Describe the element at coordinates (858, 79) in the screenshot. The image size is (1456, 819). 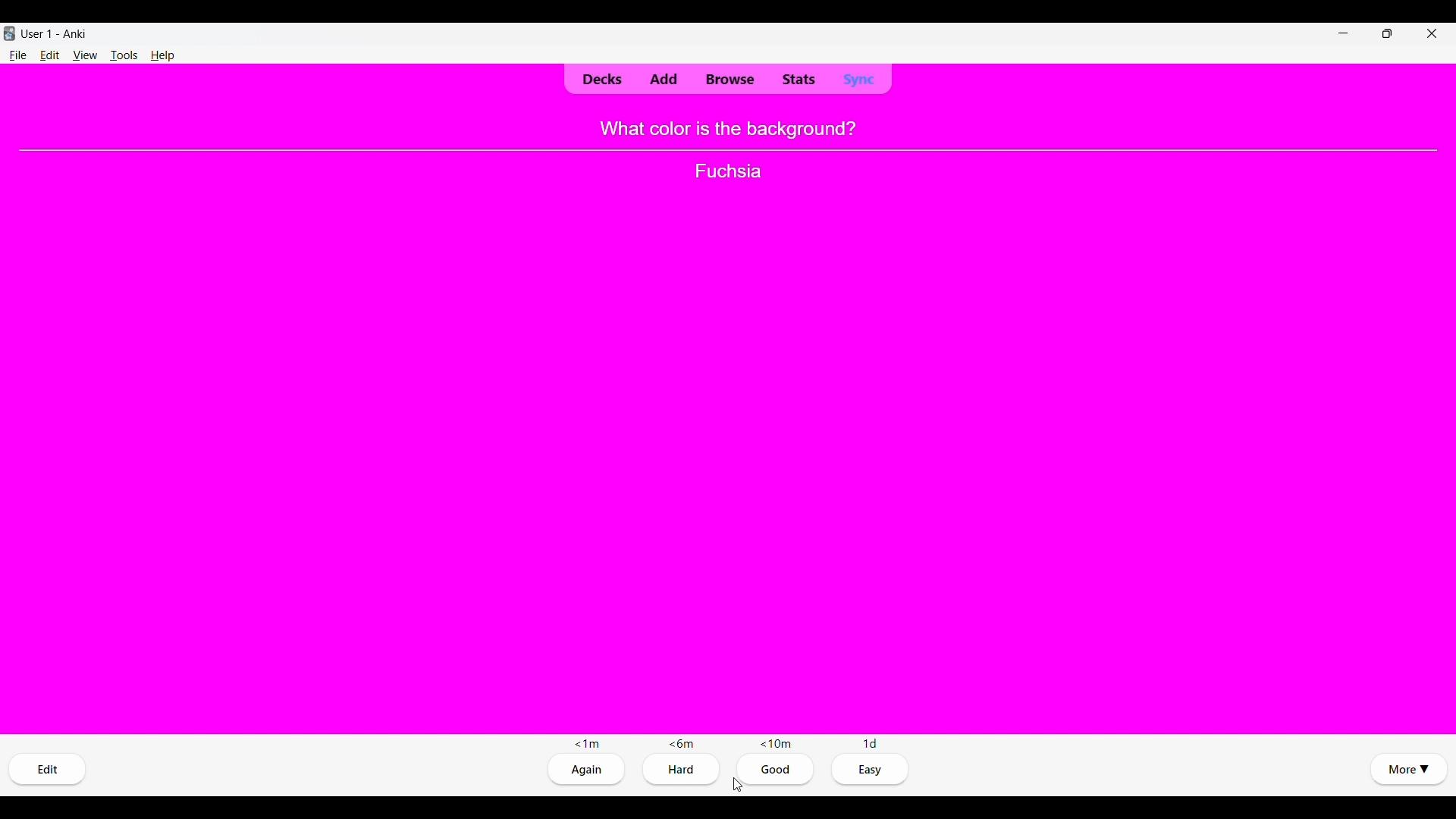
I see `Sync` at that location.